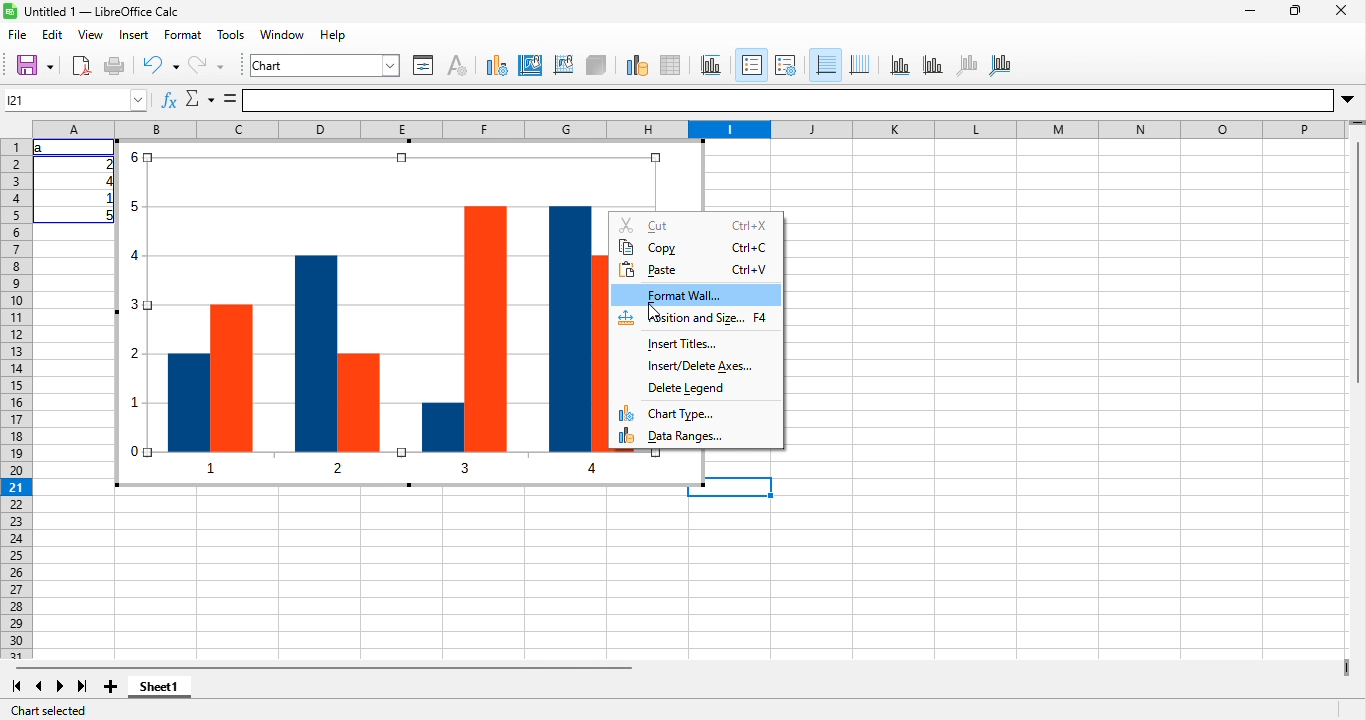  Describe the element at coordinates (712, 67) in the screenshot. I see `title` at that location.